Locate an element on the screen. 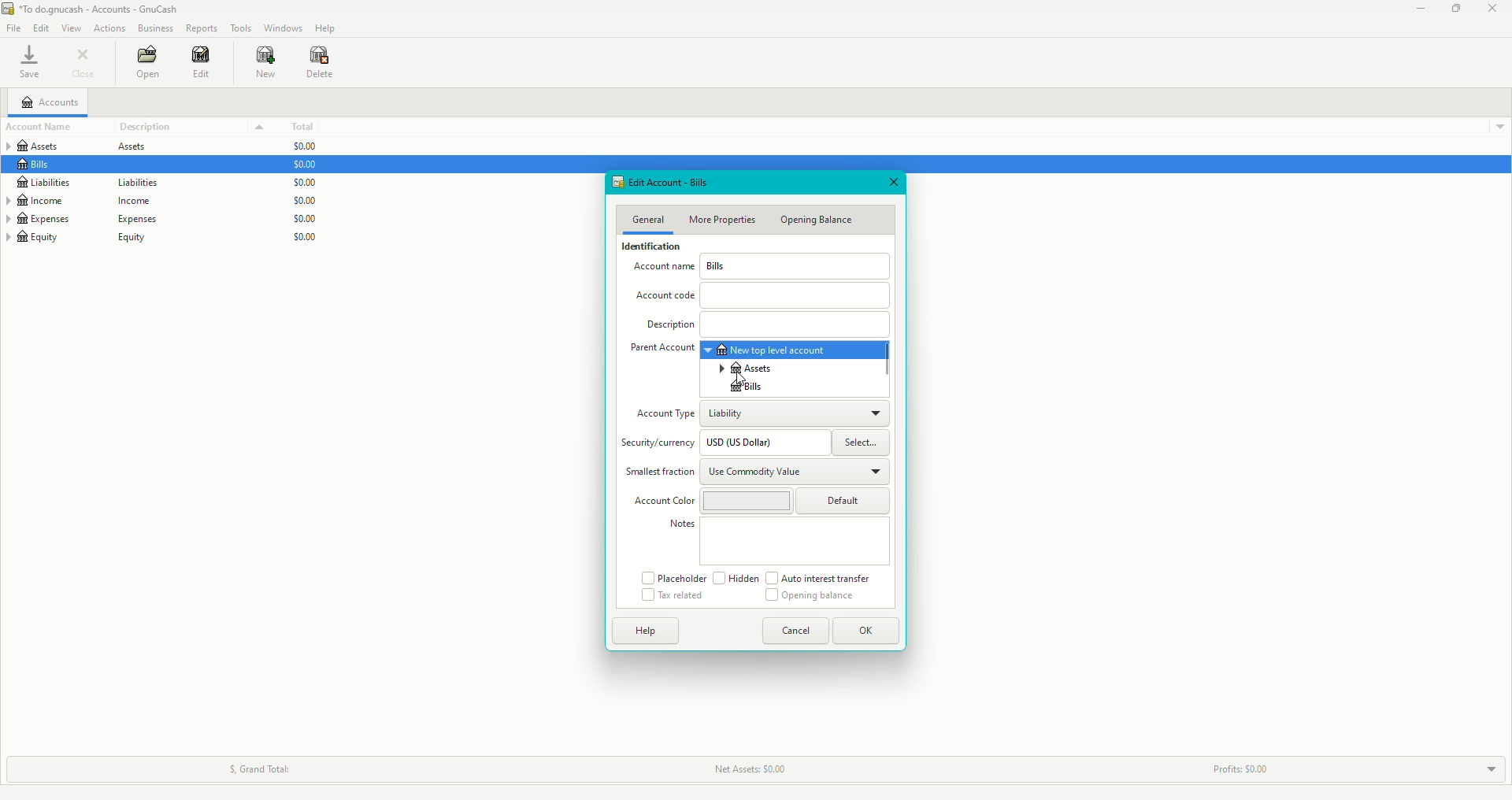 The width and height of the screenshot is (1512, 800). Account Name is located at coordinates (662, 269).